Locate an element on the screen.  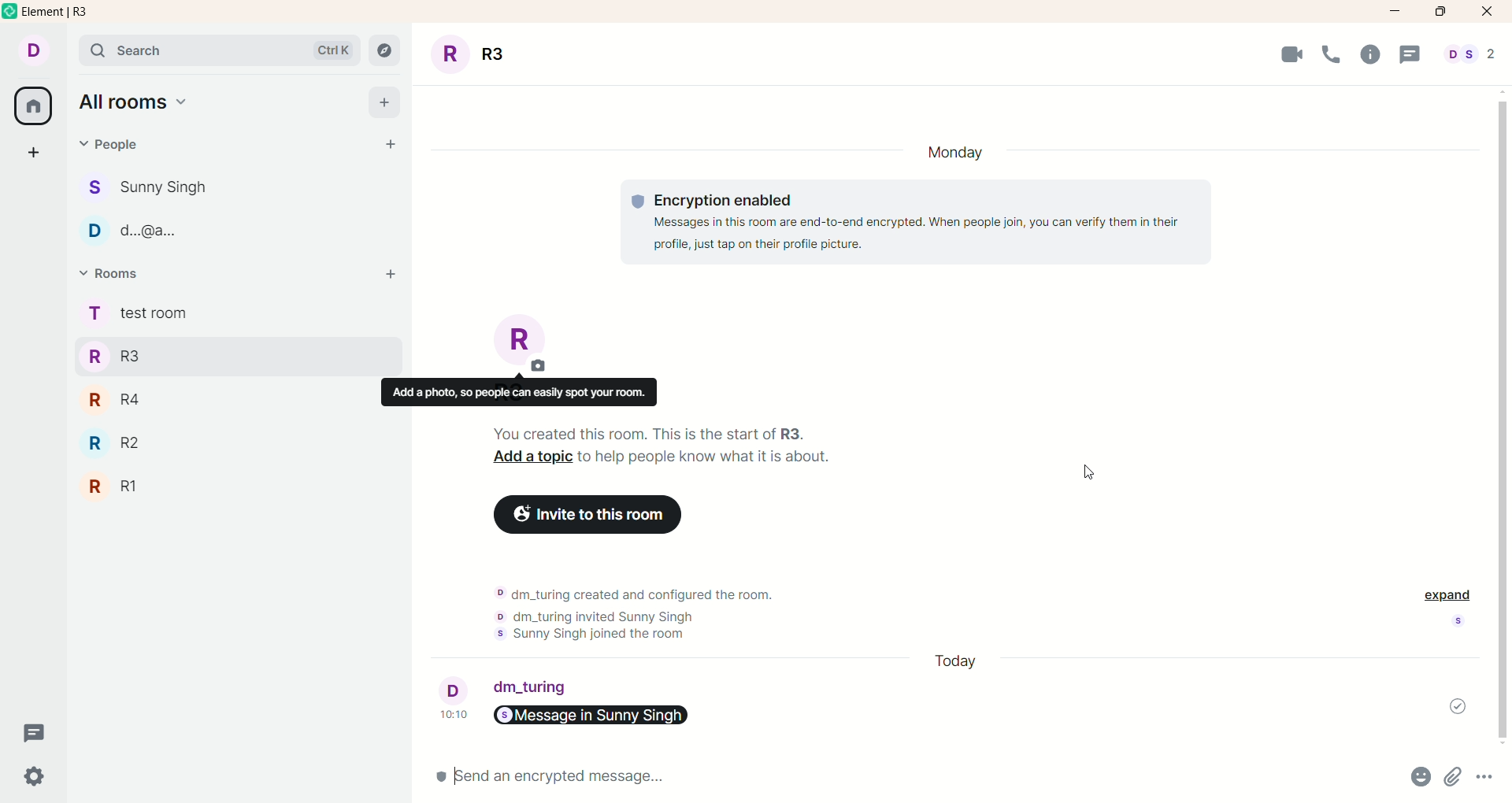
element is located at coordinates (81, 14).